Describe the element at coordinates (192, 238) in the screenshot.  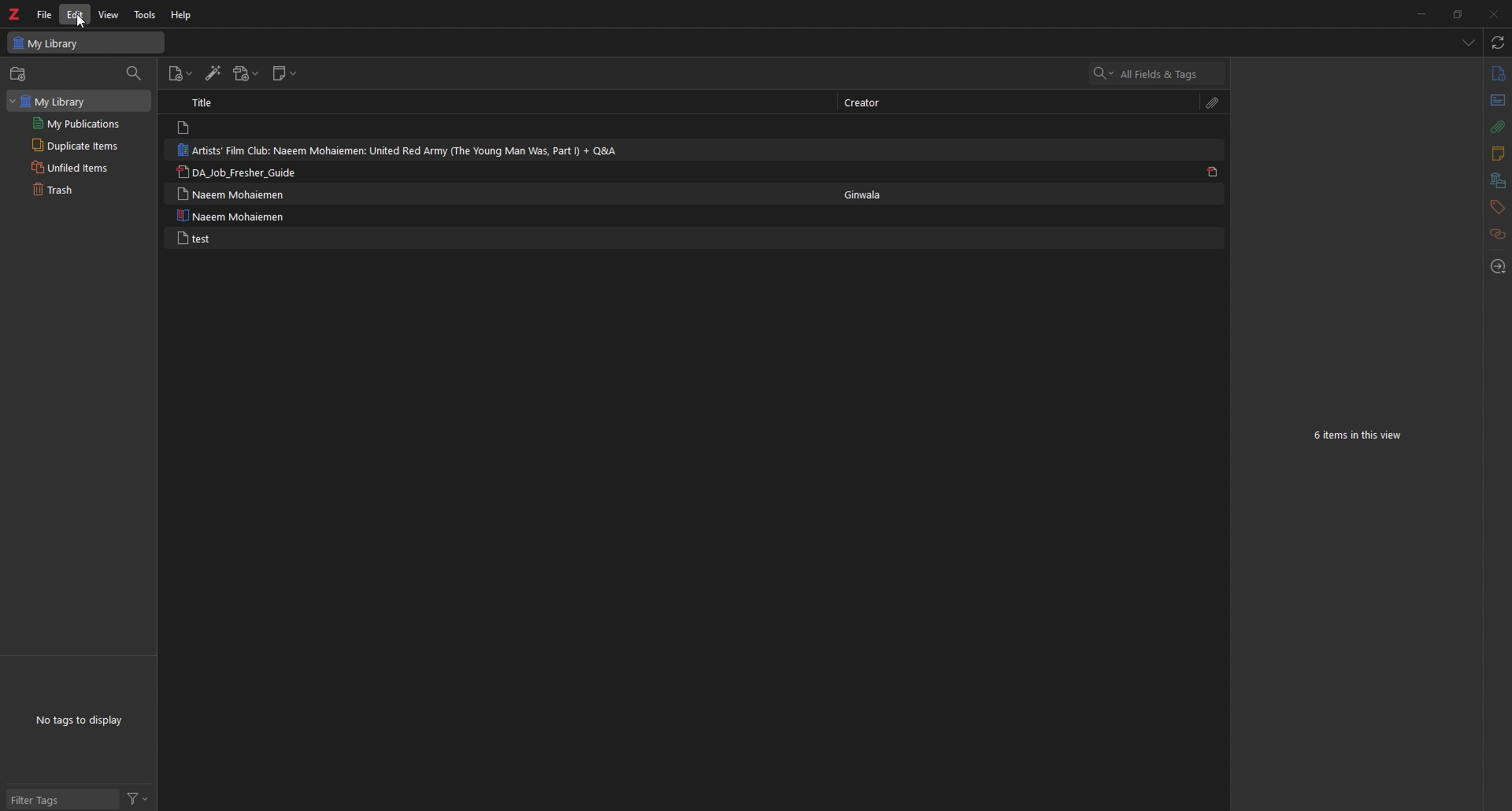
I see `test` at that location.